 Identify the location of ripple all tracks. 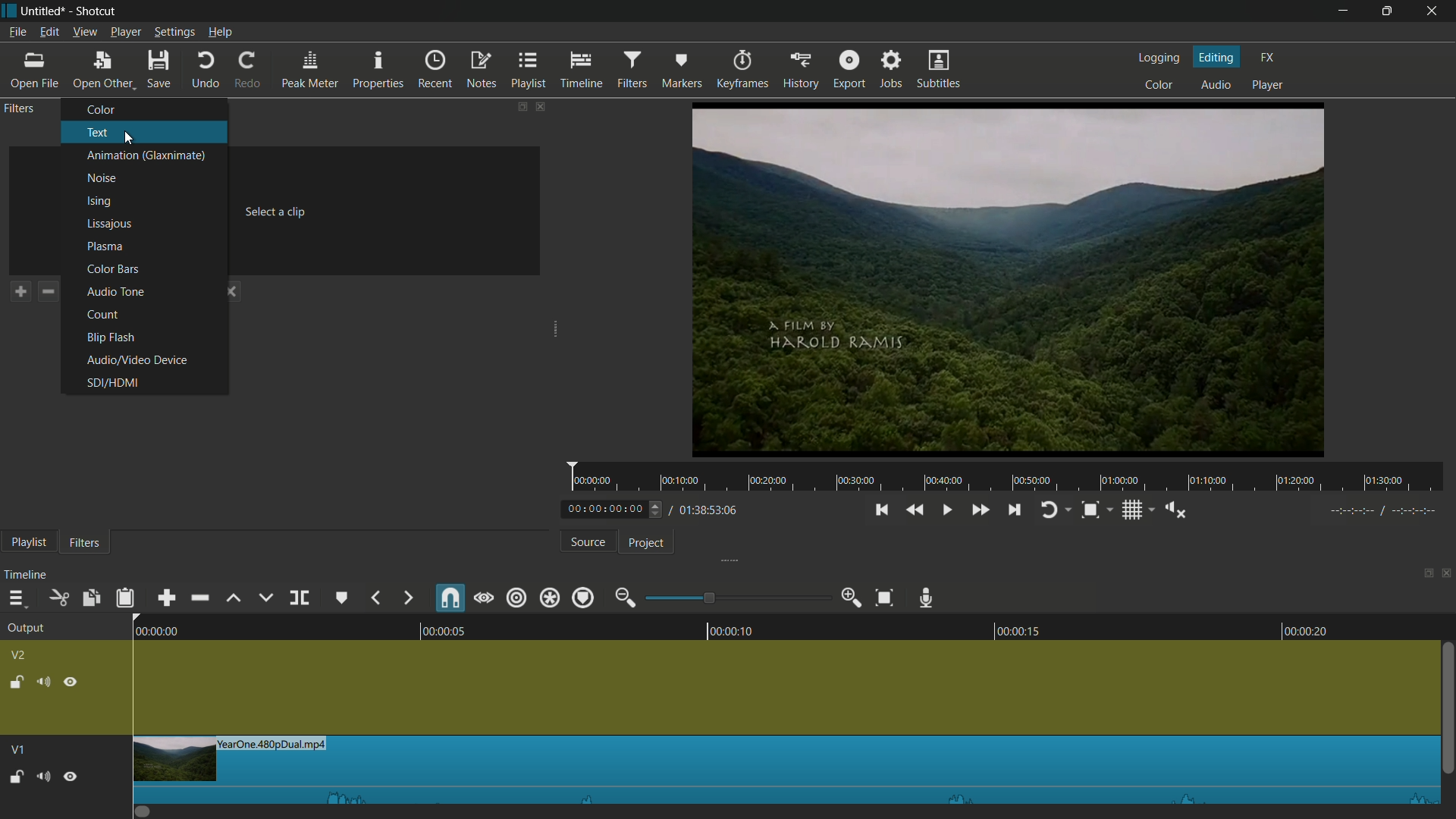
(549, 598).